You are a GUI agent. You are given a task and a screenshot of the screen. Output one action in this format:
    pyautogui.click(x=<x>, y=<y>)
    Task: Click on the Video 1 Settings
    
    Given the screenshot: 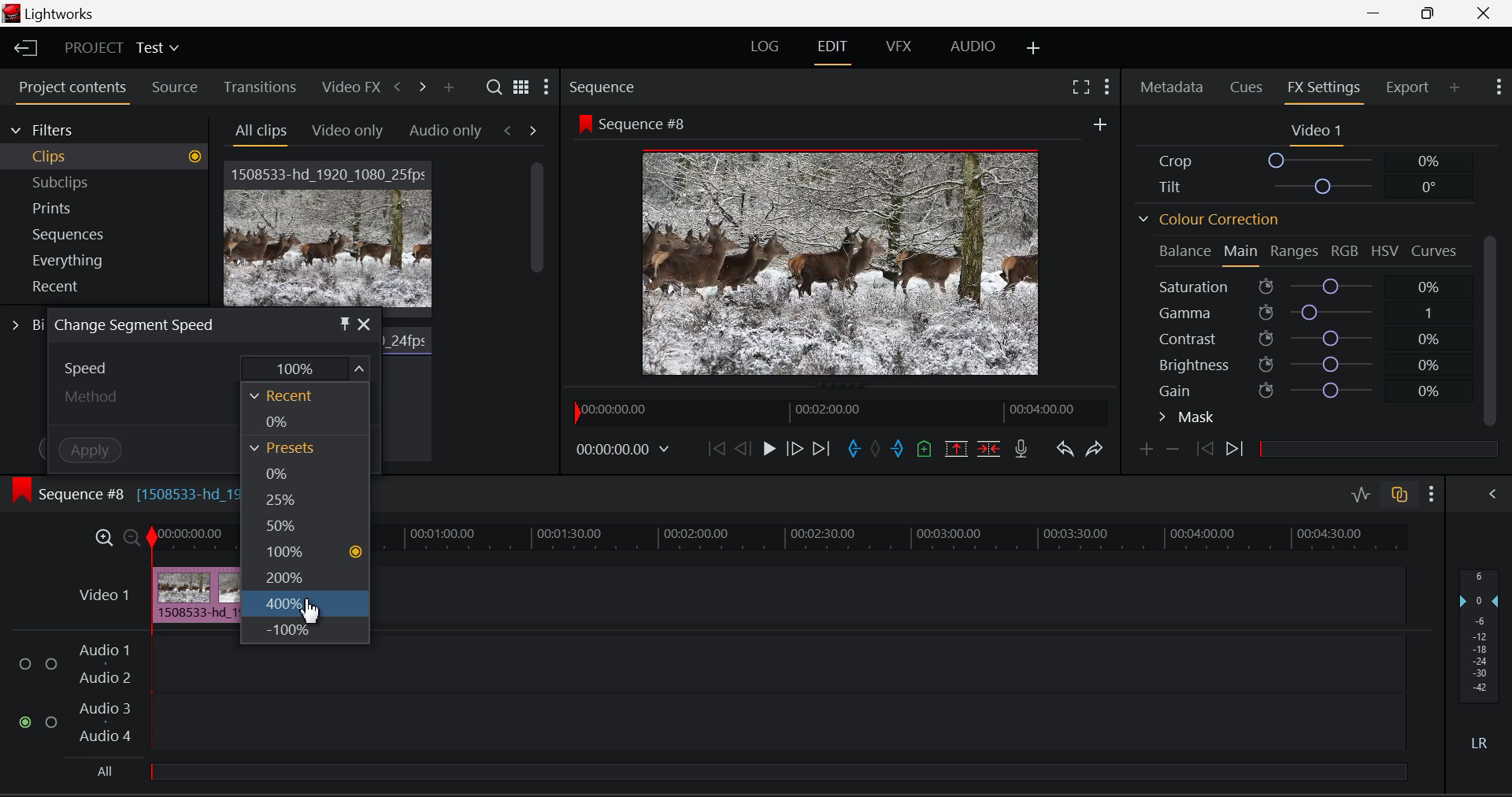 What is the action you would take?
    pyautogui.click(x=1317, y=132)
    